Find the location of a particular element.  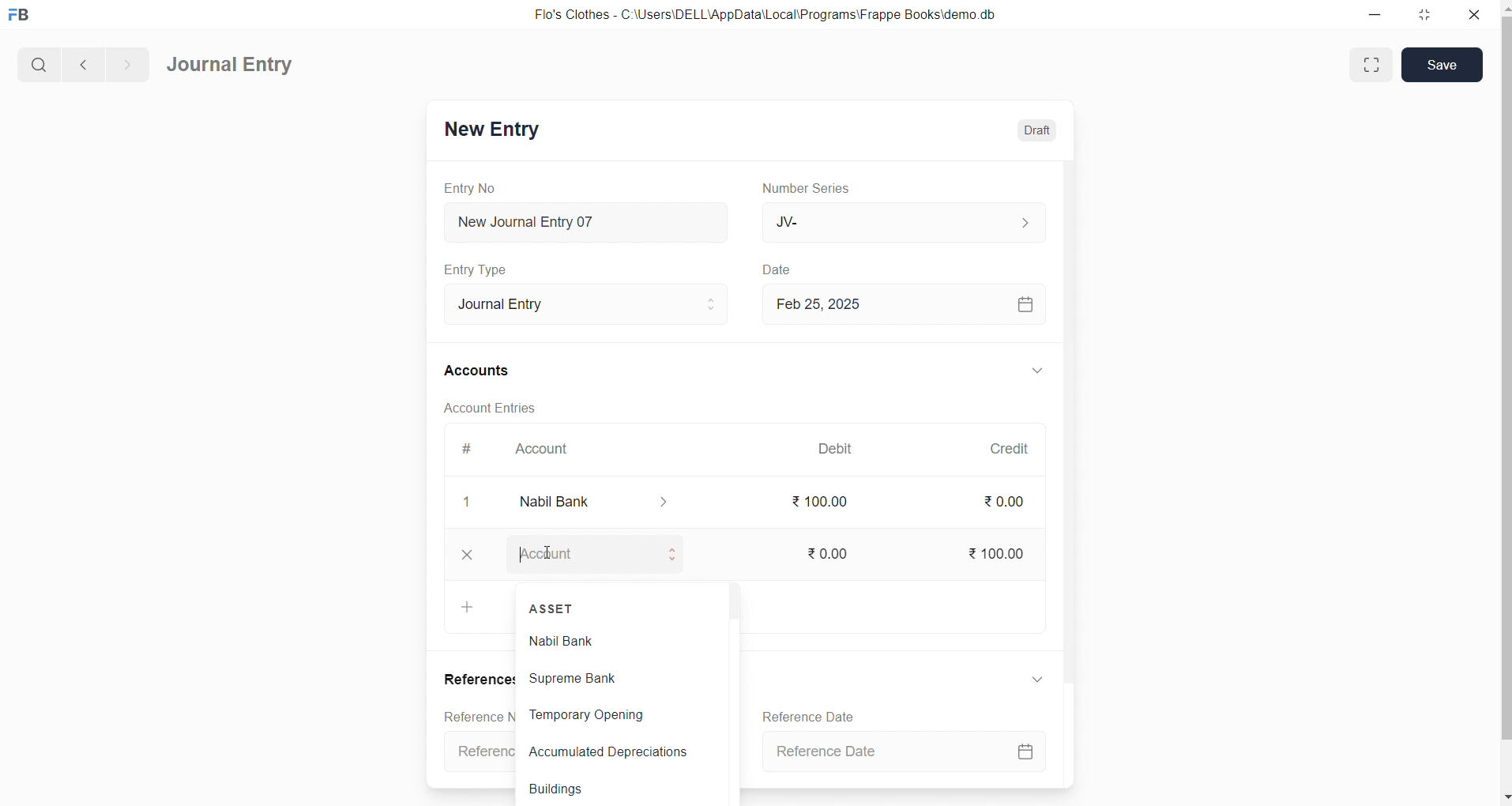

search is located at coordinates (37, 62).